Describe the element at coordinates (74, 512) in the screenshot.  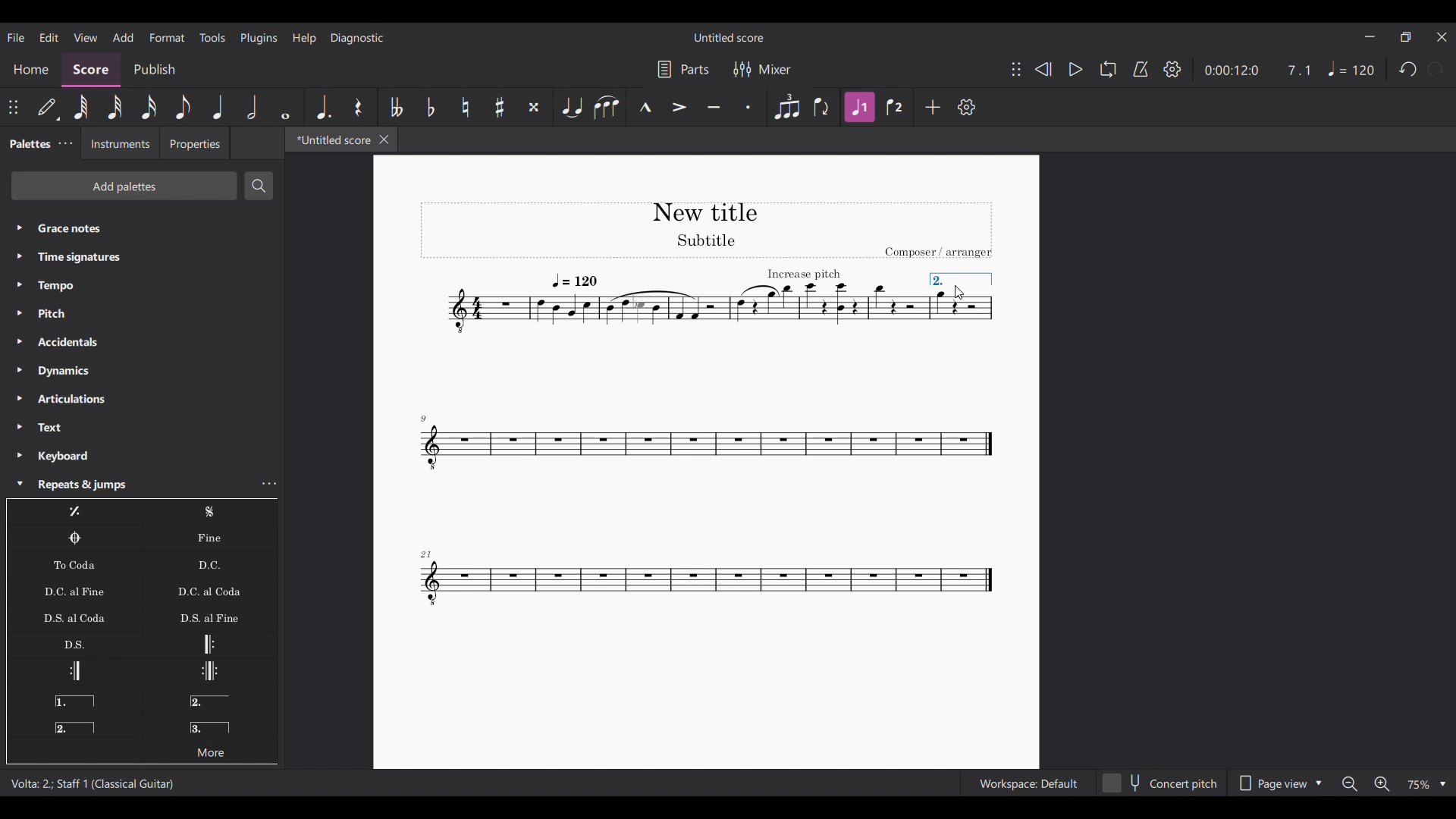
I see `Repeat last measure` at that location.